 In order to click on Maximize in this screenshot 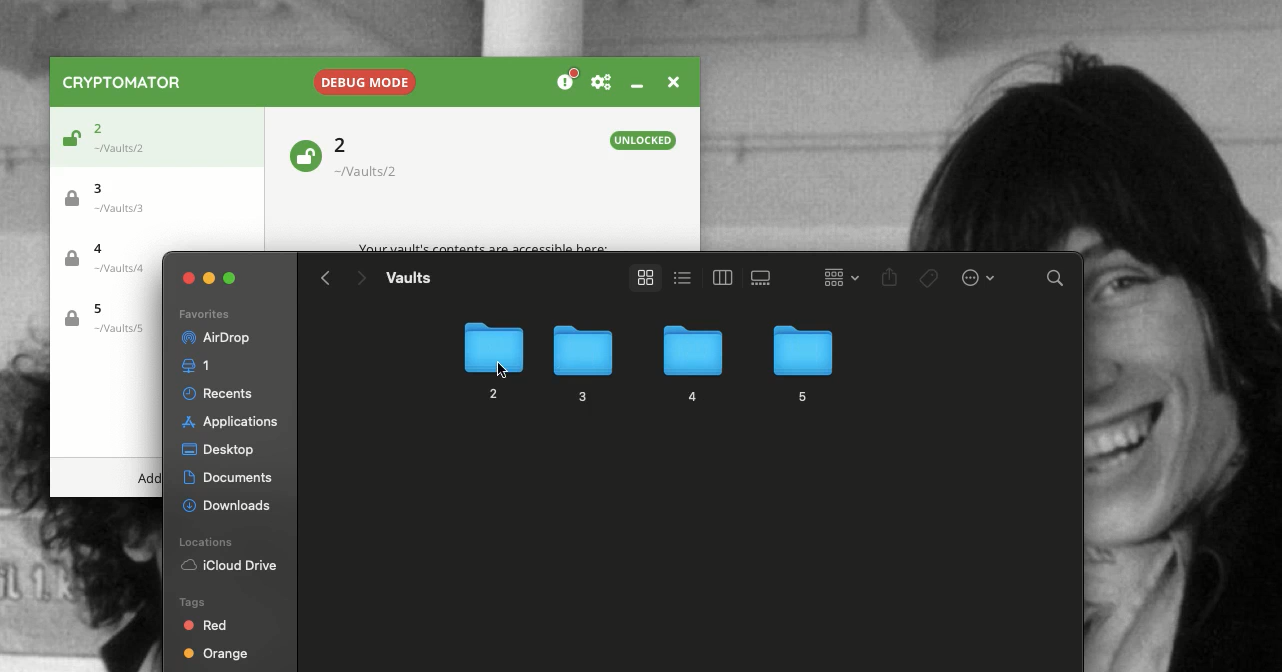, I will do `click(232, 278)`.